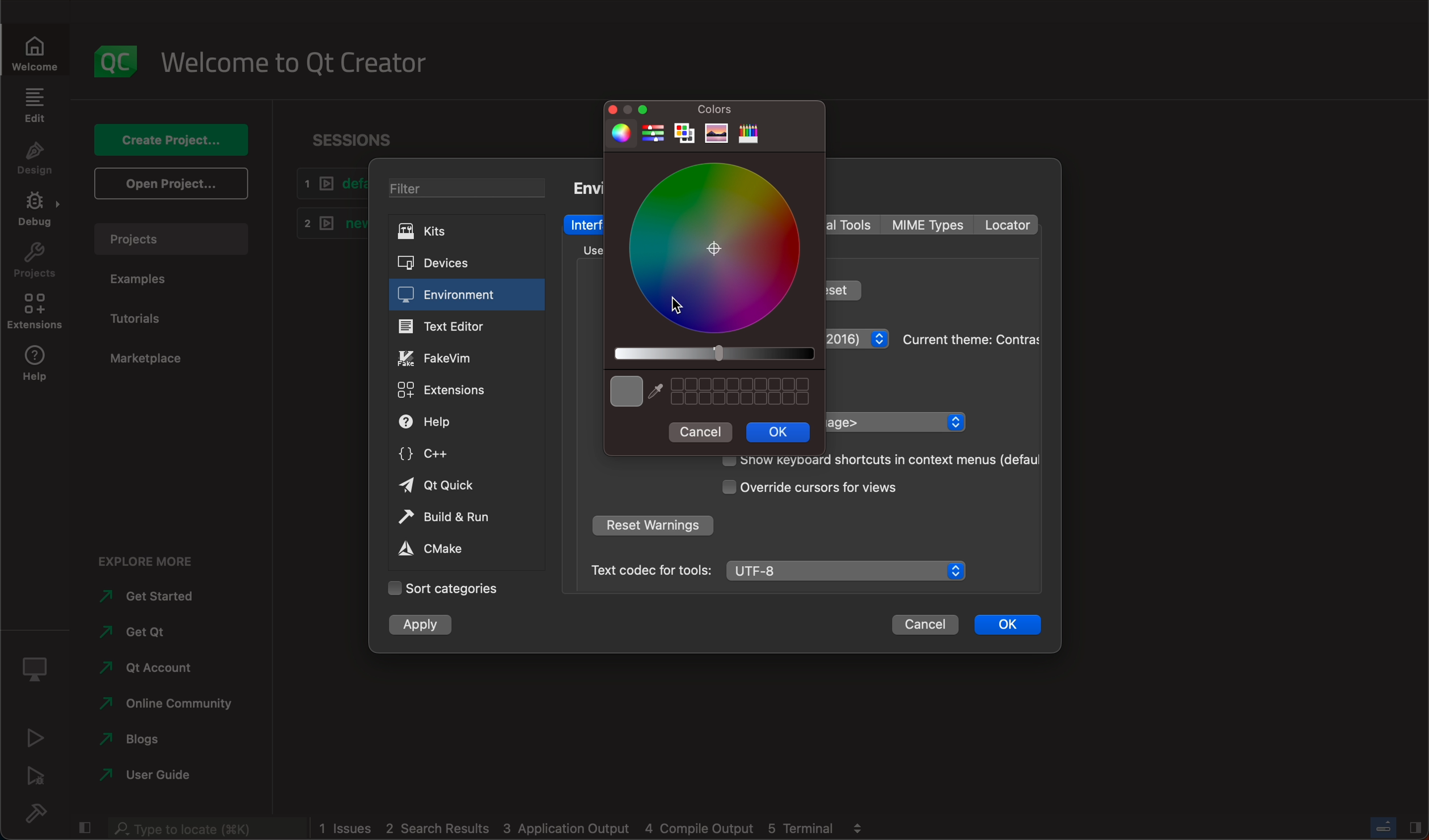 The image size is (1429, 840). I want to click on debug, so click(39, 665).